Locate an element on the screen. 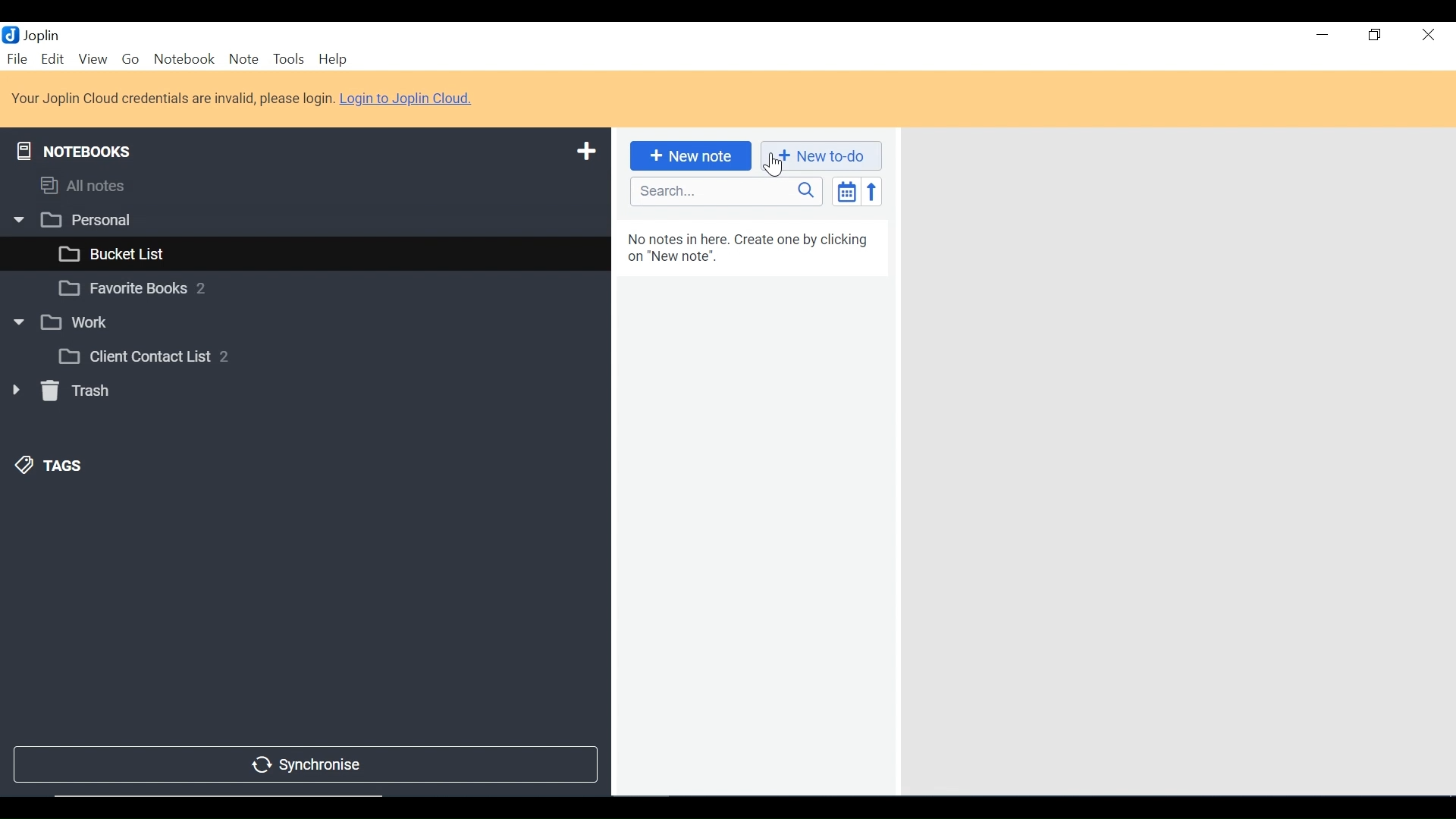  Notes is located at coordinates (752, 506).